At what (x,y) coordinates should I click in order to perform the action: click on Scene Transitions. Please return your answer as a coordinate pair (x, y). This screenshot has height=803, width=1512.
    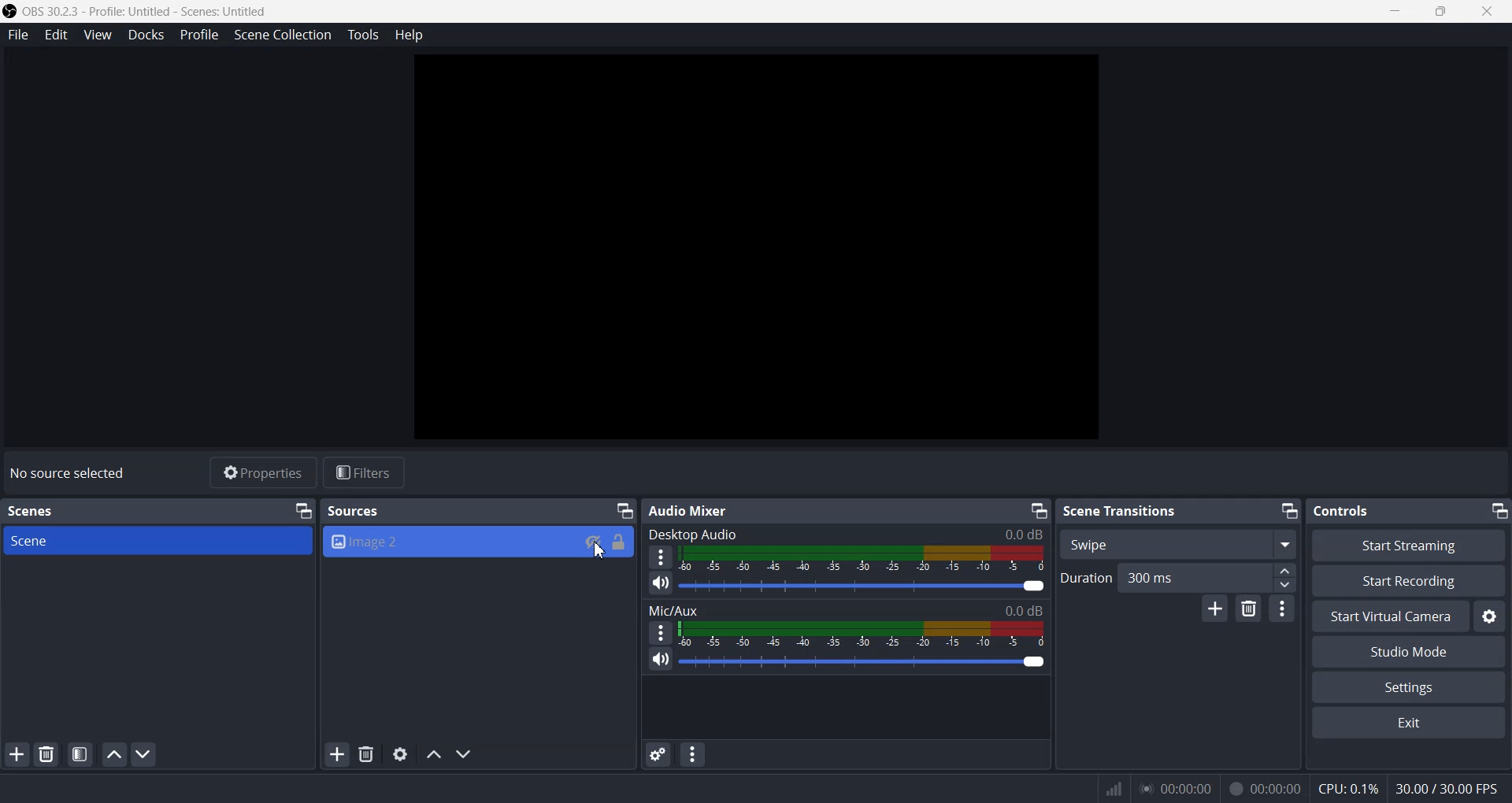
    Looking at the image, I should click on (1121, 512).